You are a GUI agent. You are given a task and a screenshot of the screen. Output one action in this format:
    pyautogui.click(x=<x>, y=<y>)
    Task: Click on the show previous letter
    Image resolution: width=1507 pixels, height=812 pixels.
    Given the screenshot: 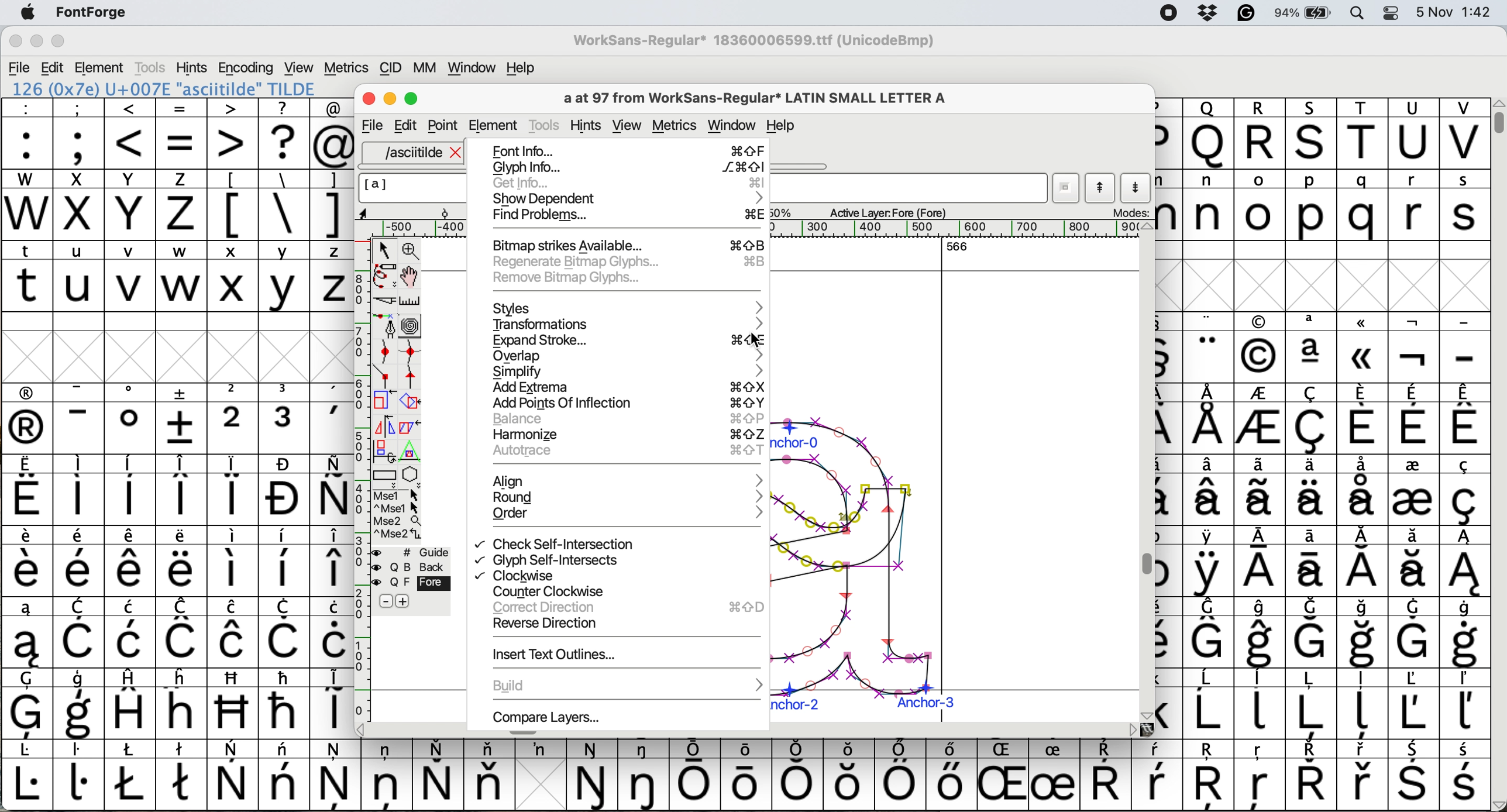 What is the action you would take?
    pyautogui.click(x=1100, y=188)
    